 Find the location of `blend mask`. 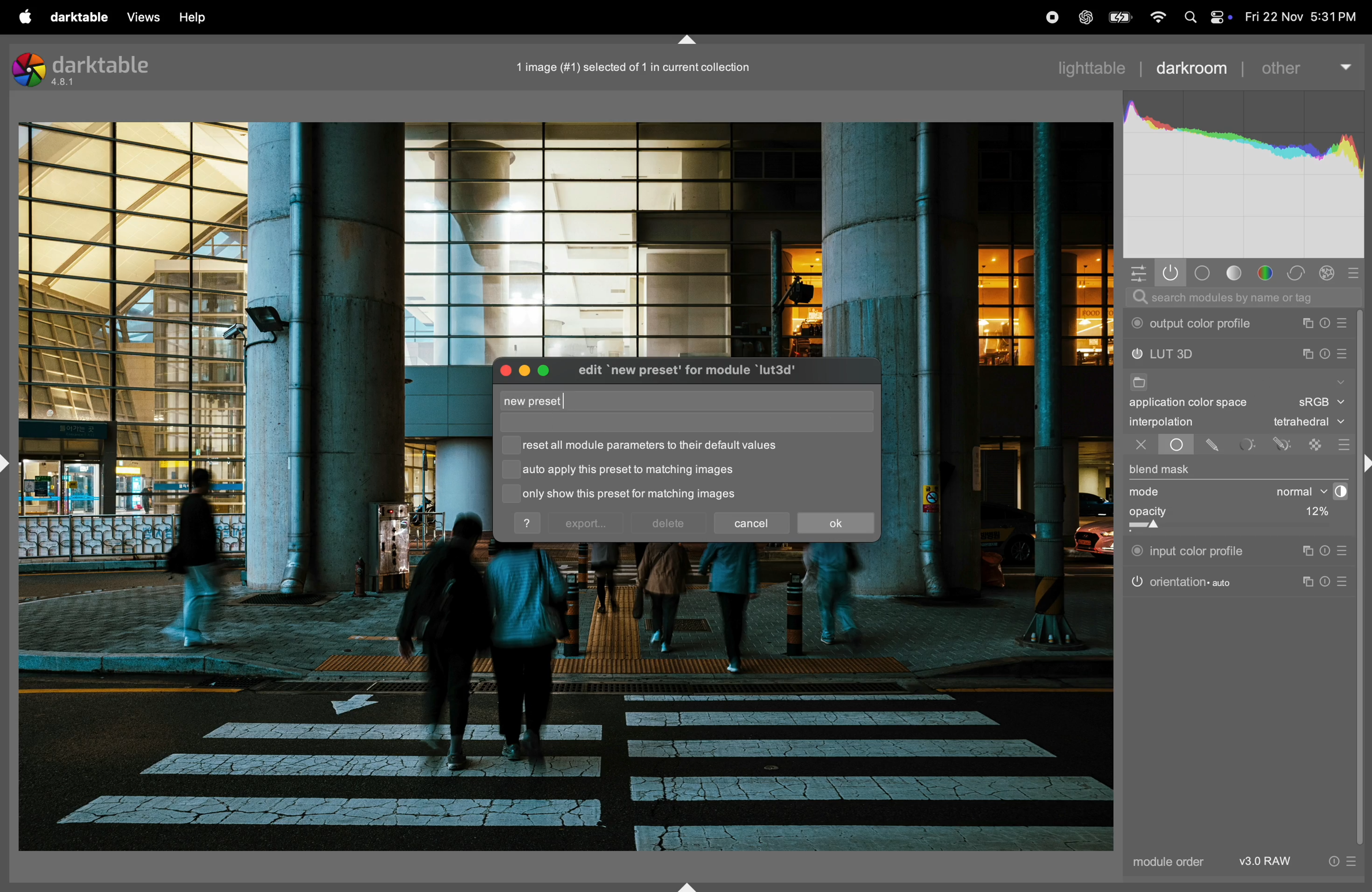

blend mask is located at coordinates (1160, 471).